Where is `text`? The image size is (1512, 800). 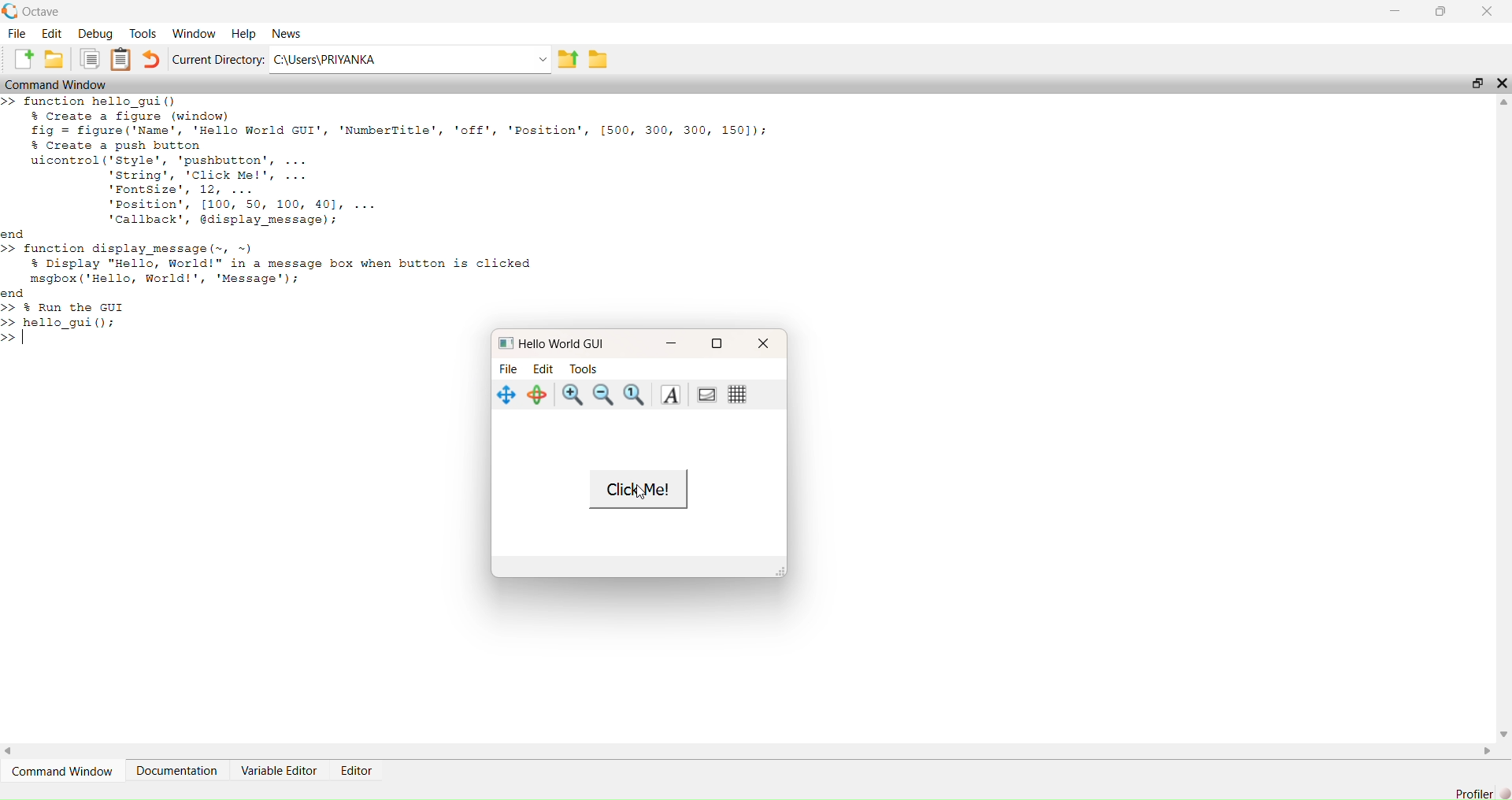 text is located at coordinates (673, 396).